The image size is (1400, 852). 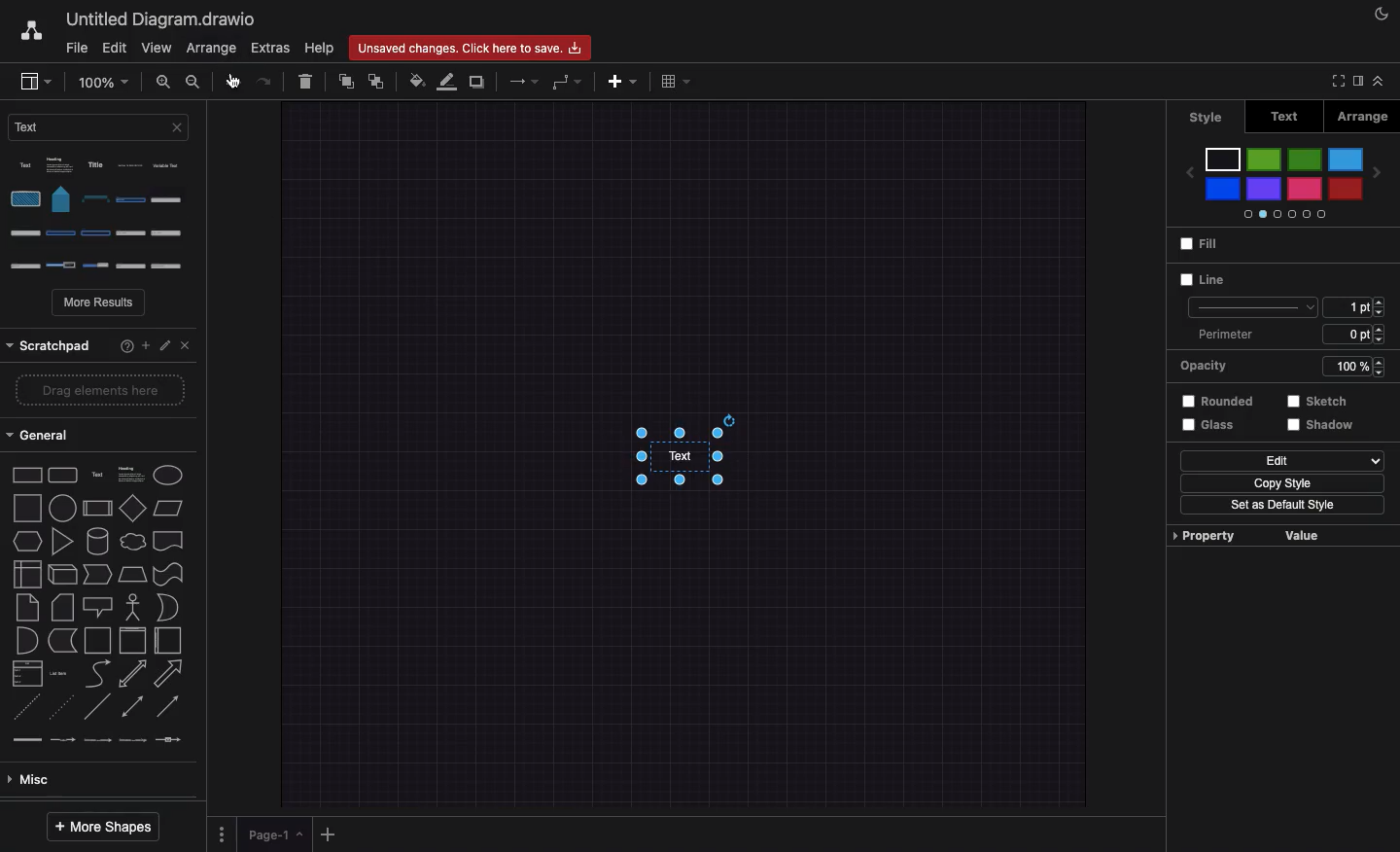 I want to click on Trash, so click(x=307, y=84).